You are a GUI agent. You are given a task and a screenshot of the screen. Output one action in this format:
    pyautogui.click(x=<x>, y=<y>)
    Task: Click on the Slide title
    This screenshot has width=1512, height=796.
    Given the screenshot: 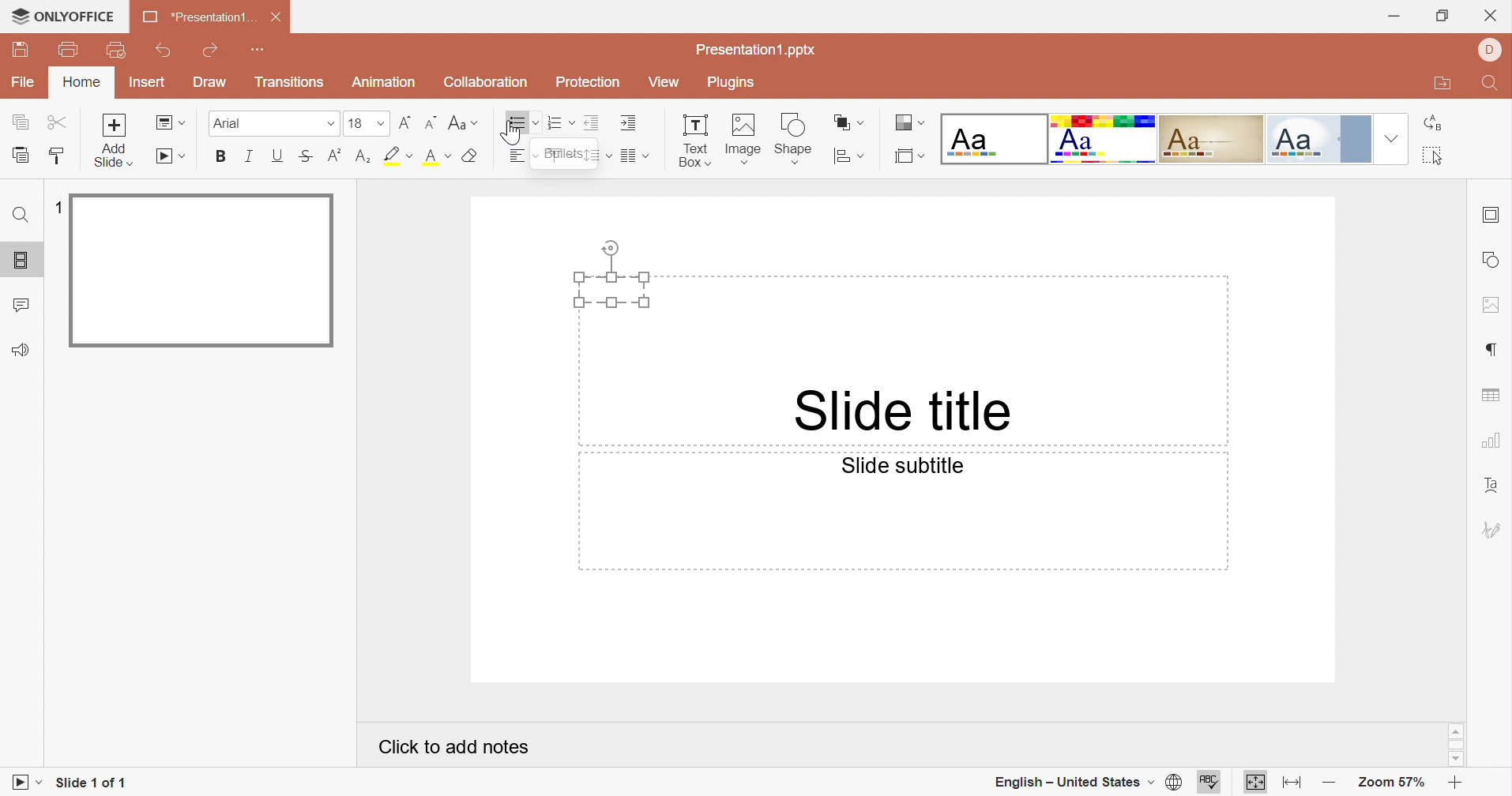 What is the action you would take?
    pyautogui.click(x=903, y=411)
    